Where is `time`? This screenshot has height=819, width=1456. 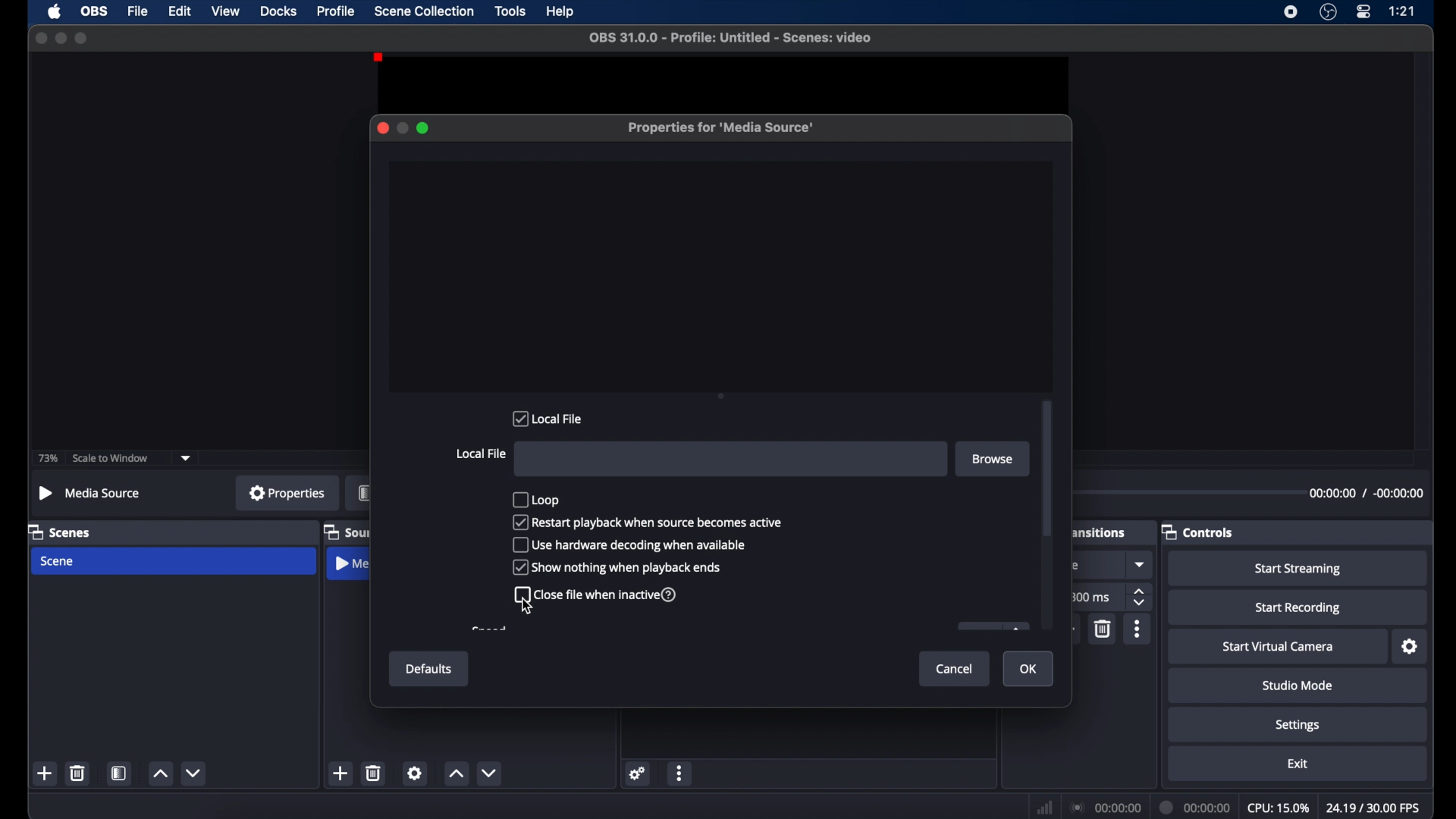
time is located at coordinates (1401, 11).